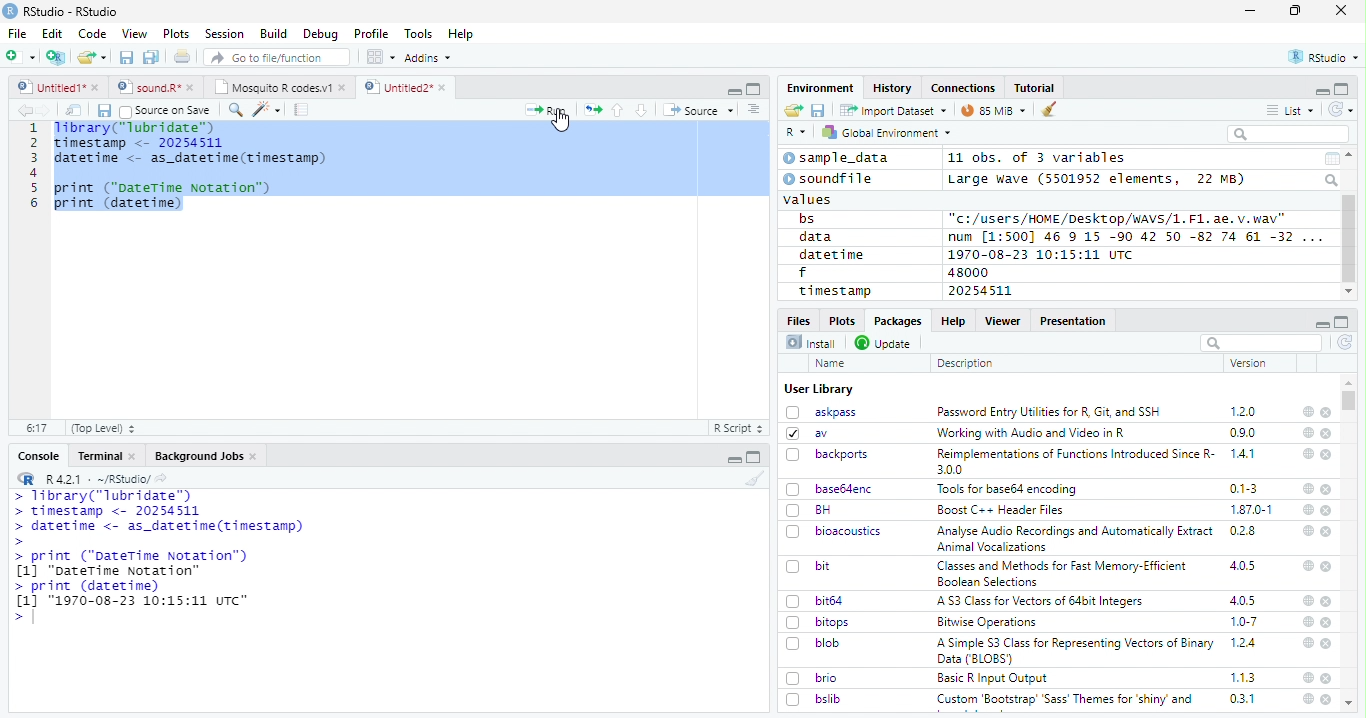  I want to click on 48000, so click(966, 272).